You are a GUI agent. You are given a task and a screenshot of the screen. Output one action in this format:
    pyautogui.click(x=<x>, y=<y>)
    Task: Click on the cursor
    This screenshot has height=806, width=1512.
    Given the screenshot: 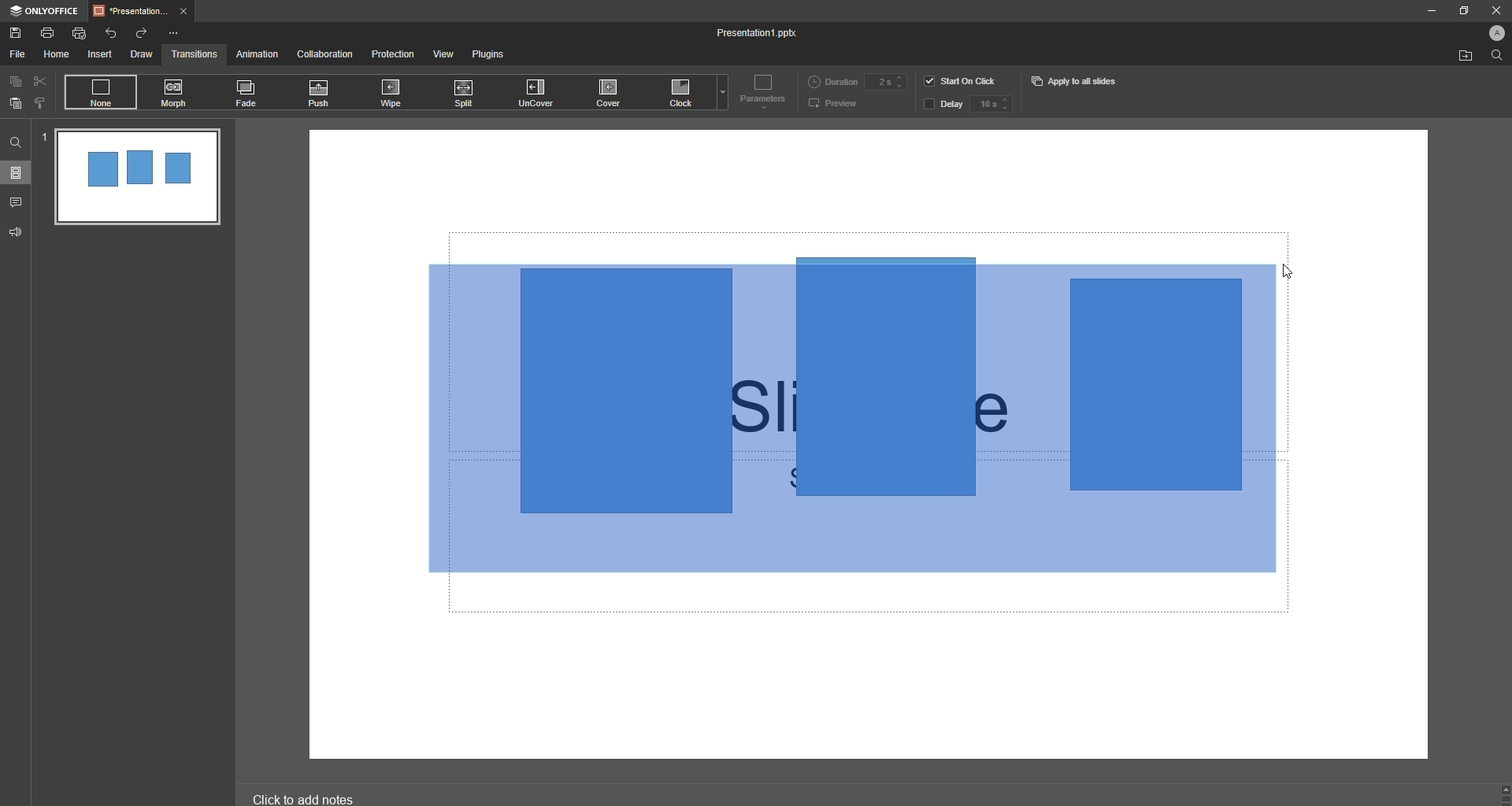 What is the action you would take?
    pyautogui.click(x=1289, y=267)
    